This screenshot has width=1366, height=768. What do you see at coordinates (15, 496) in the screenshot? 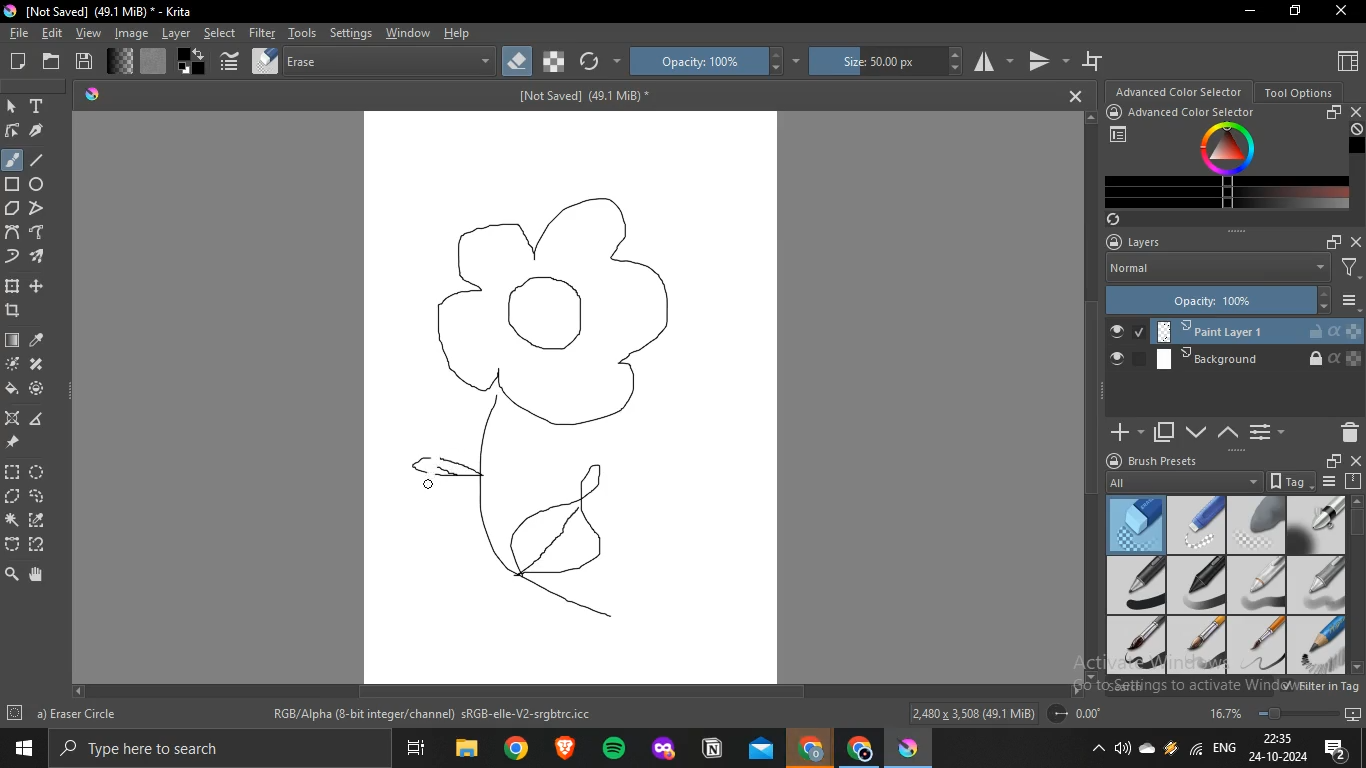
I see `polygonal selection tool` at bounding box center [15, 496].